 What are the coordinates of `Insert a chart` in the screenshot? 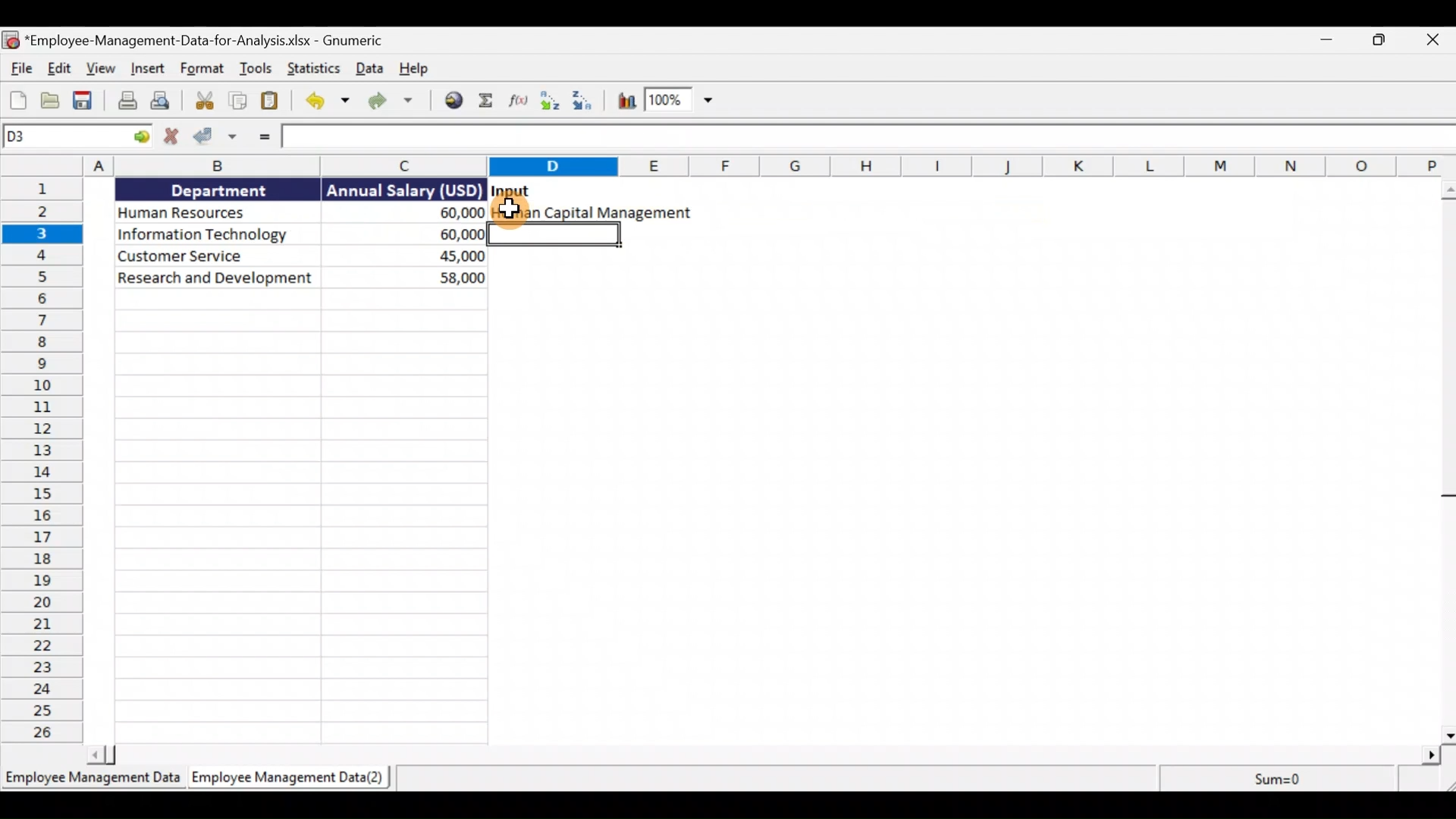 It's located at (624, 103).